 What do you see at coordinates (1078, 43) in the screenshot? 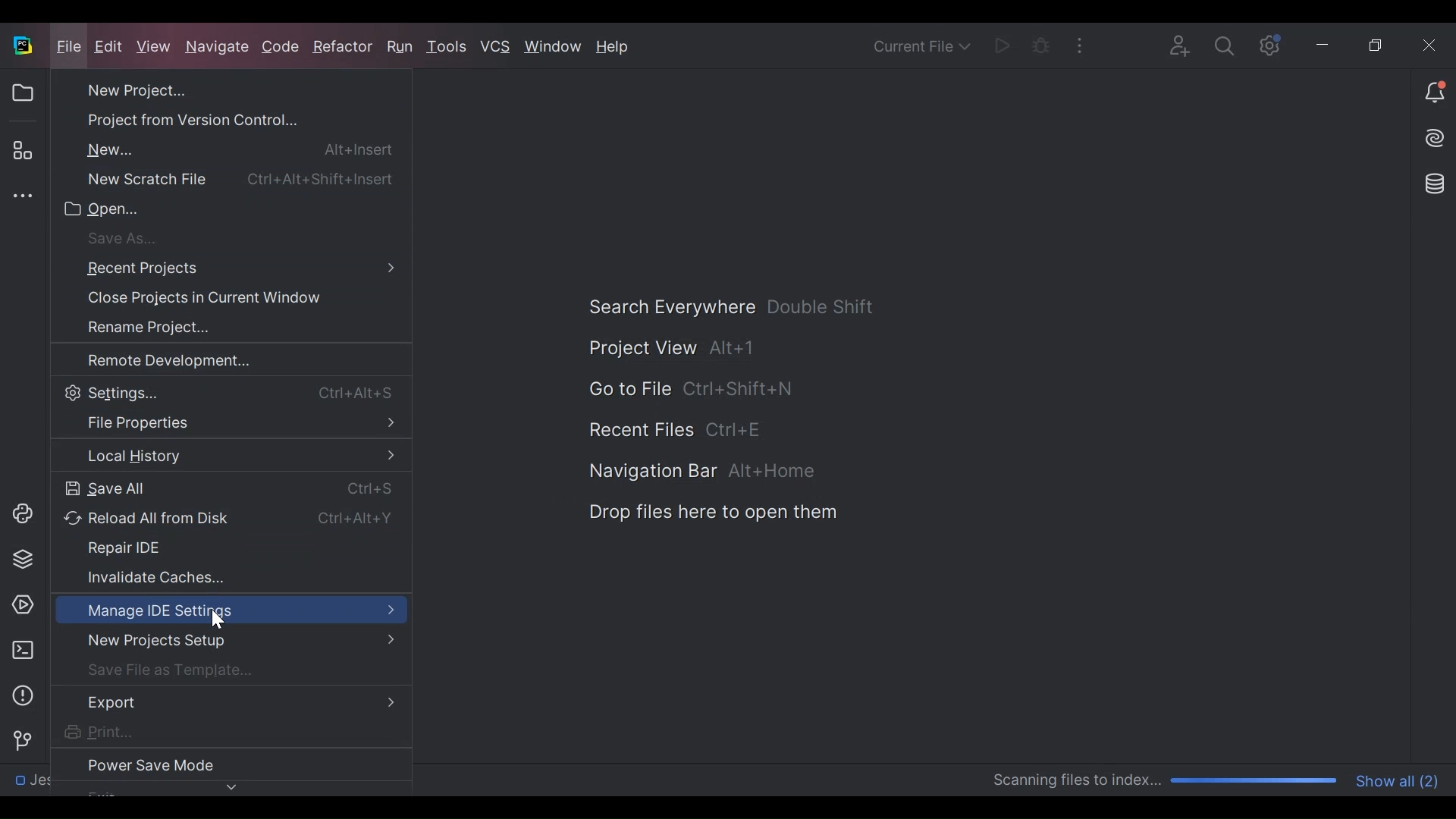
I see `More` at bounding box center [1078, 43].